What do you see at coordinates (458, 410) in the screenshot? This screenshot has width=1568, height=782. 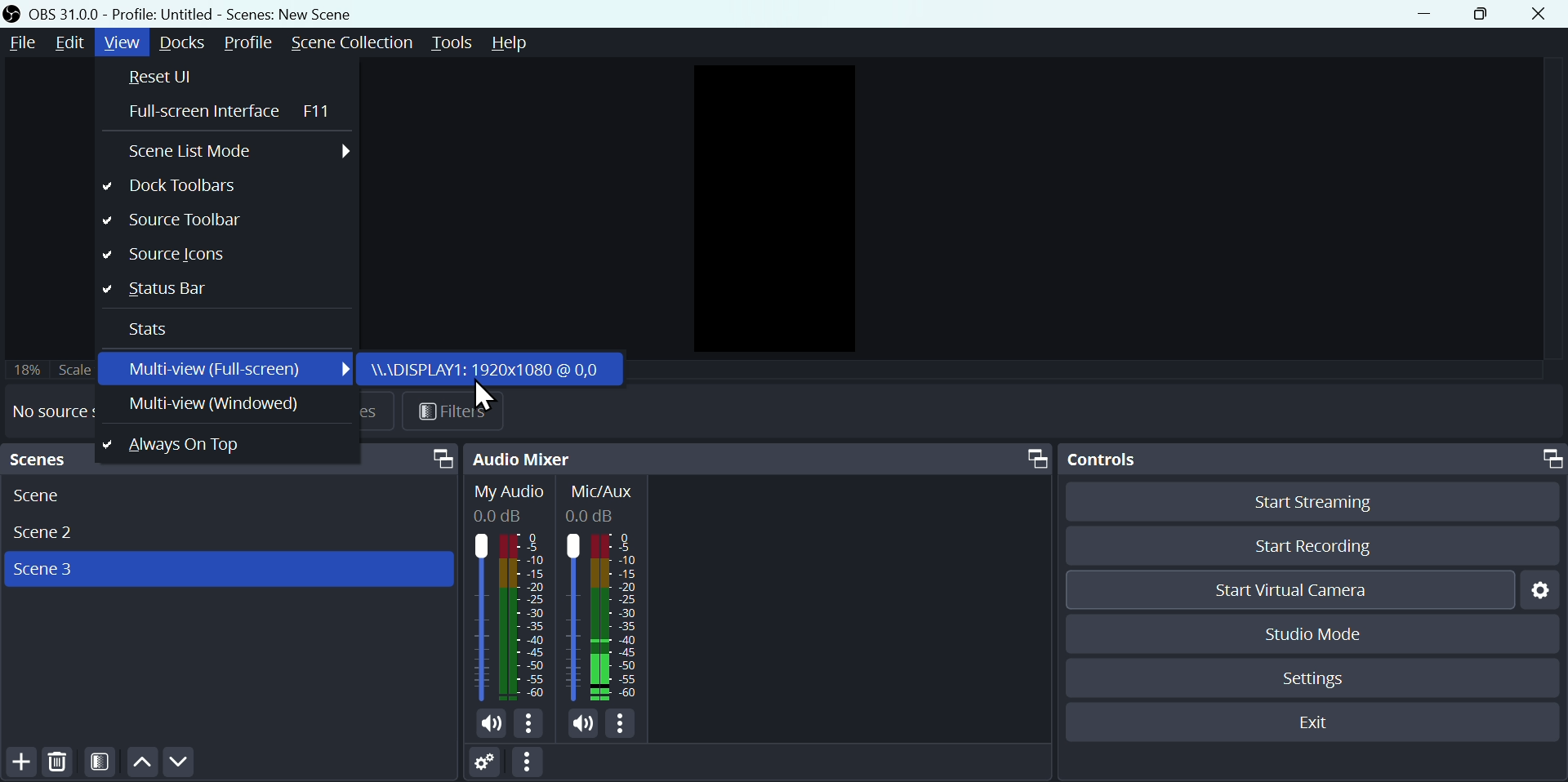 I see `Filter` at bounding box center [458, 410].